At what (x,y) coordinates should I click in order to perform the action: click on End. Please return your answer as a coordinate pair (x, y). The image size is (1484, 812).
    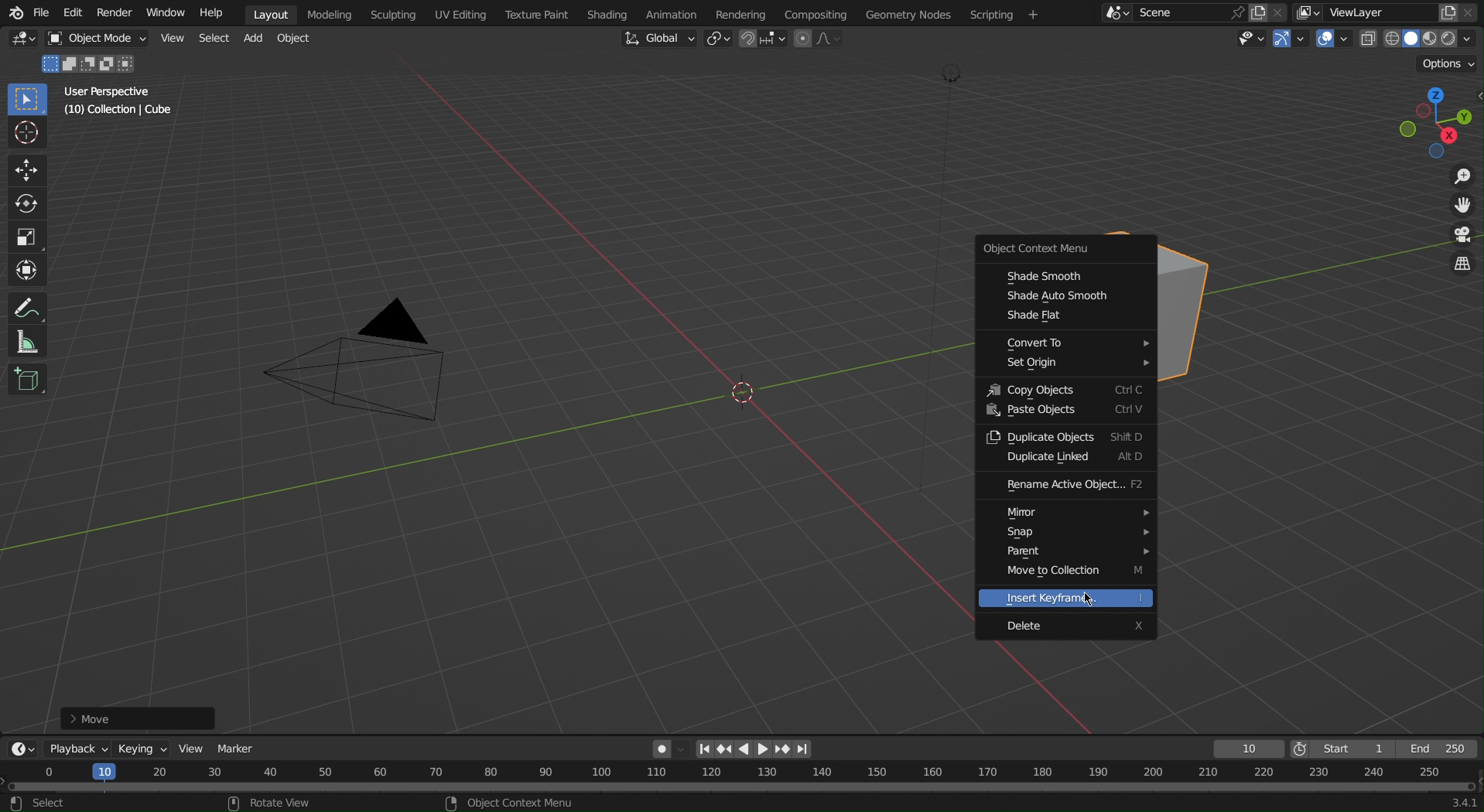
    Looking at the image, I should click on (1441, 749).